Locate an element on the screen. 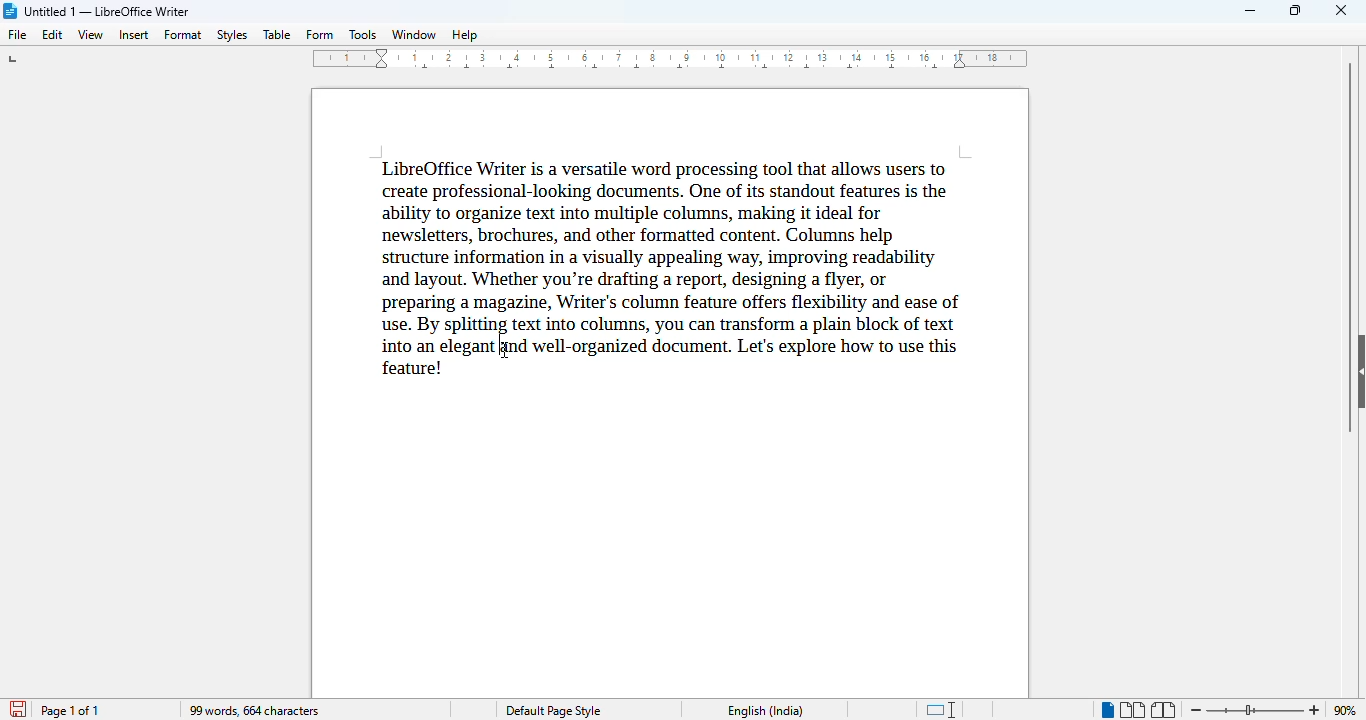 The height and width of the screenshot is (720, 1366). ruler is located at coordinates (670, 59).